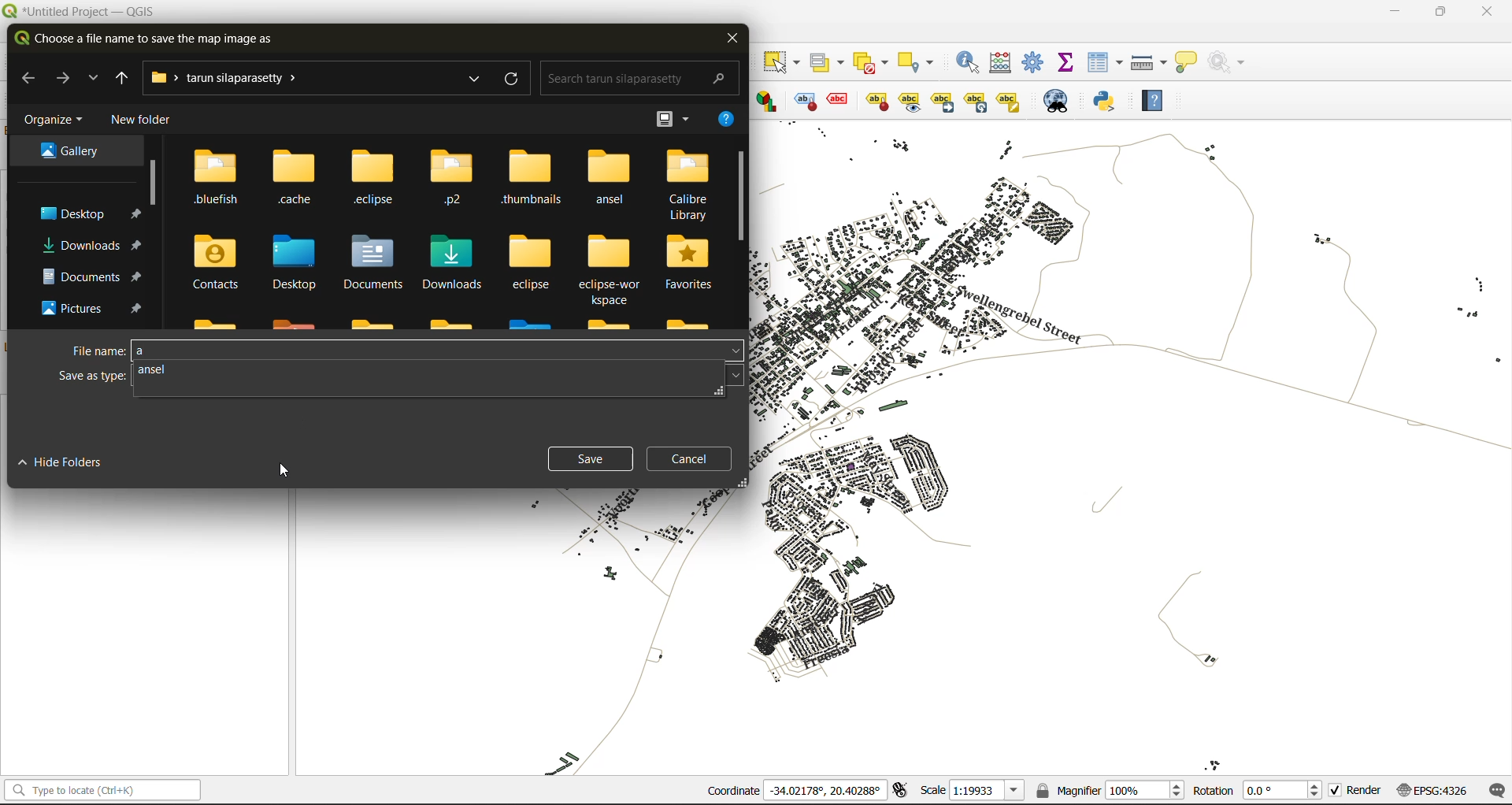 This screenshot has height=805, width=1512. What do you see at coordinates (1066, 64) in the screenshot?
I see `statistical summary` at bounding box center [1066, 64].